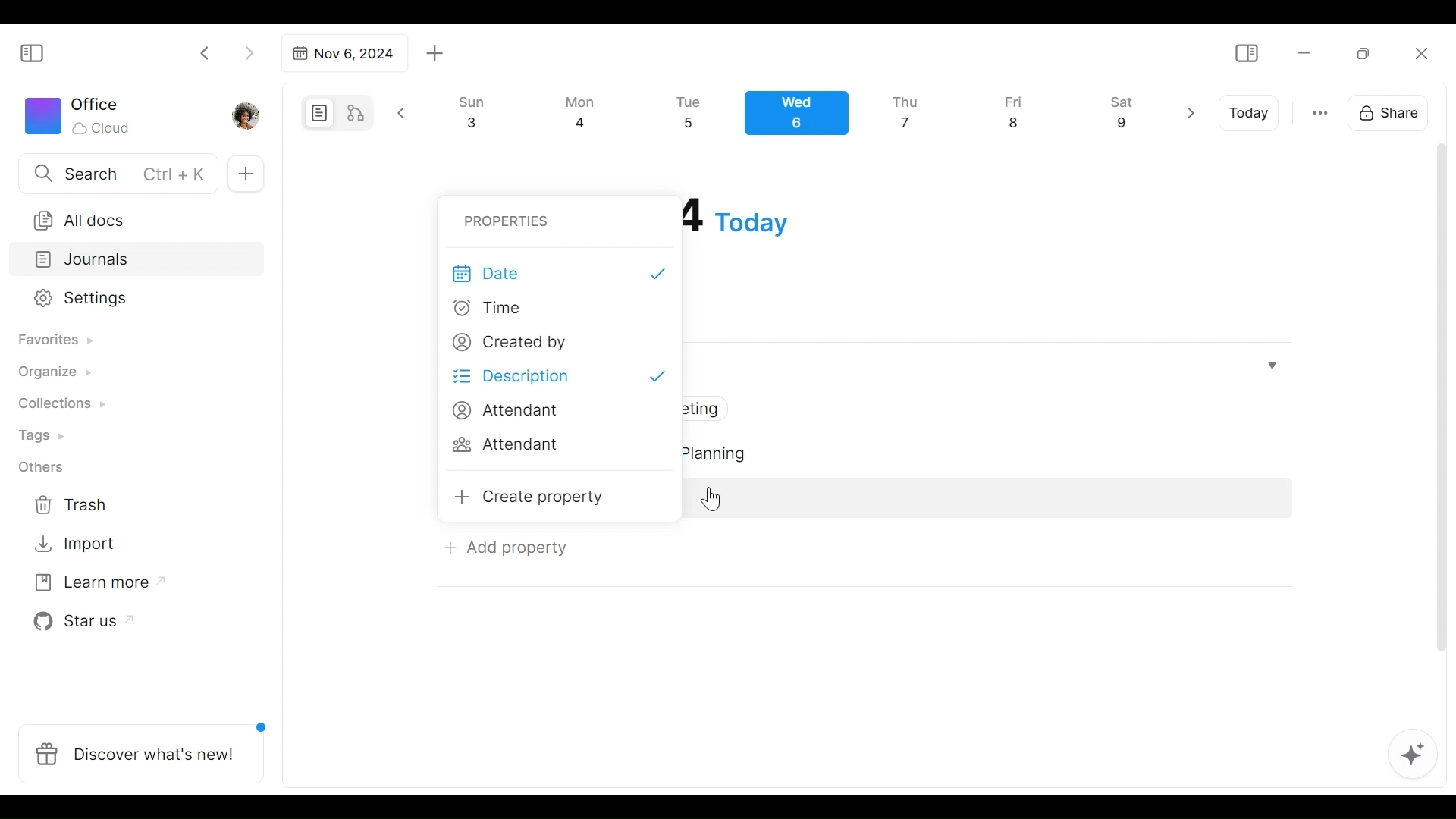 The width and height of the screenshot is (1456, 819). What do you see at coordinates (206, 52) in the screenshot?
I see `Click to go back` at bounding box center [206, 52].